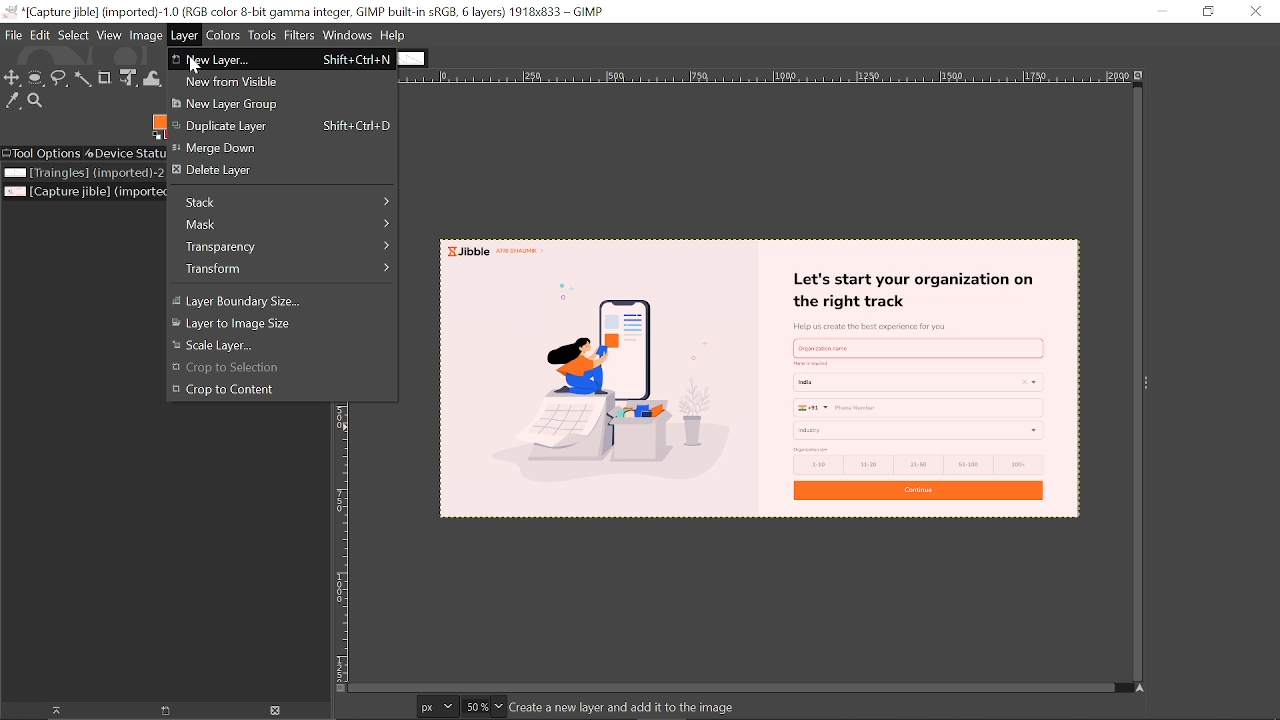 The height and width of the screenshot is (720, 1280). Describe the element at coordinates (393, 35) in the screenshot. I see `` at that location.